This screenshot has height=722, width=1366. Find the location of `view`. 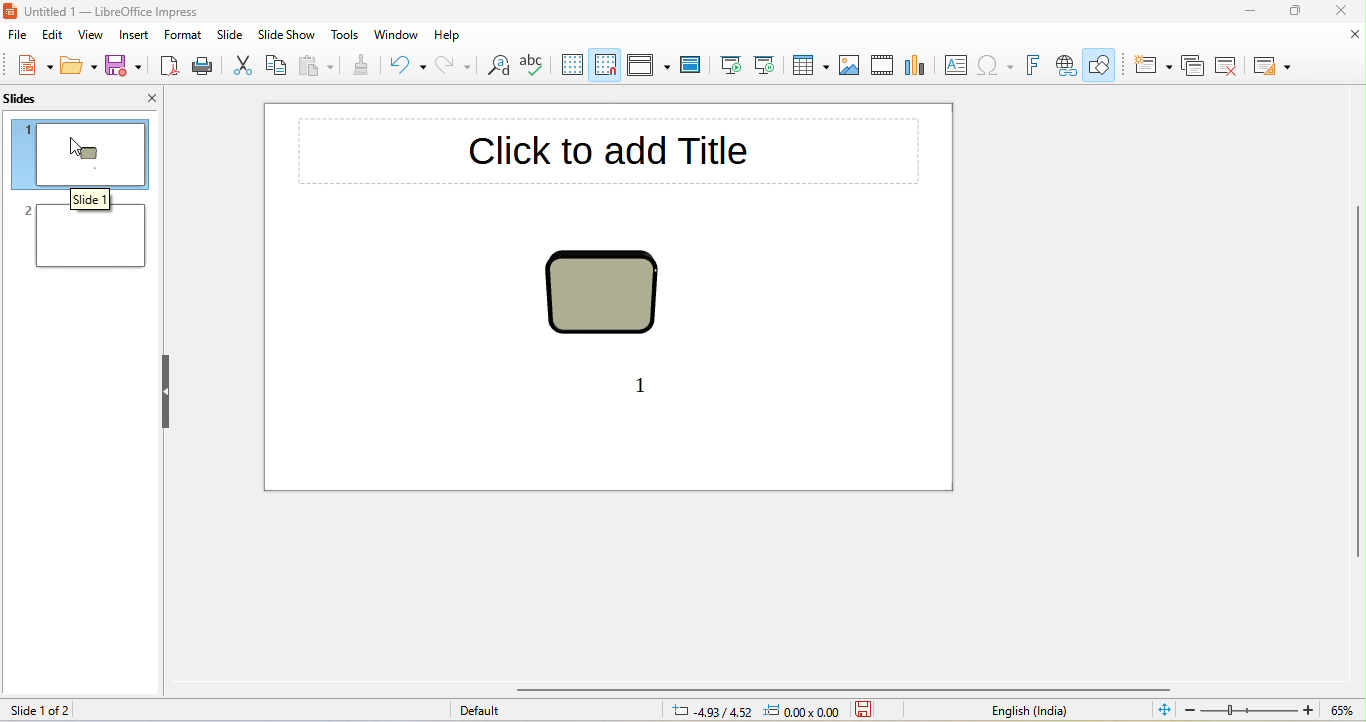

view is located at coordinates (91, 37).